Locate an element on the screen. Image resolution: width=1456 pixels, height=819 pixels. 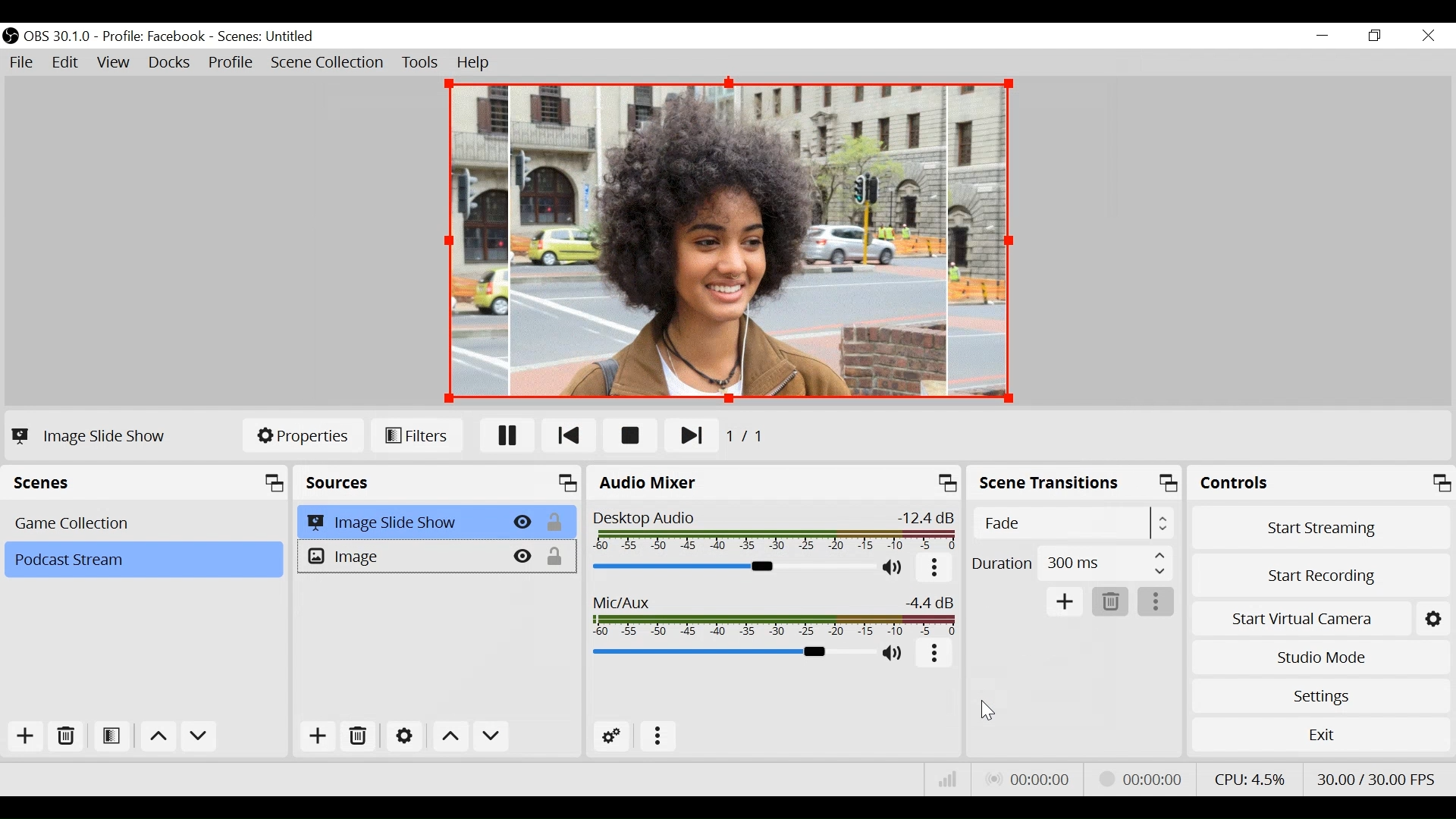
Add Scene Transition is located at coordinates (1064, 602).